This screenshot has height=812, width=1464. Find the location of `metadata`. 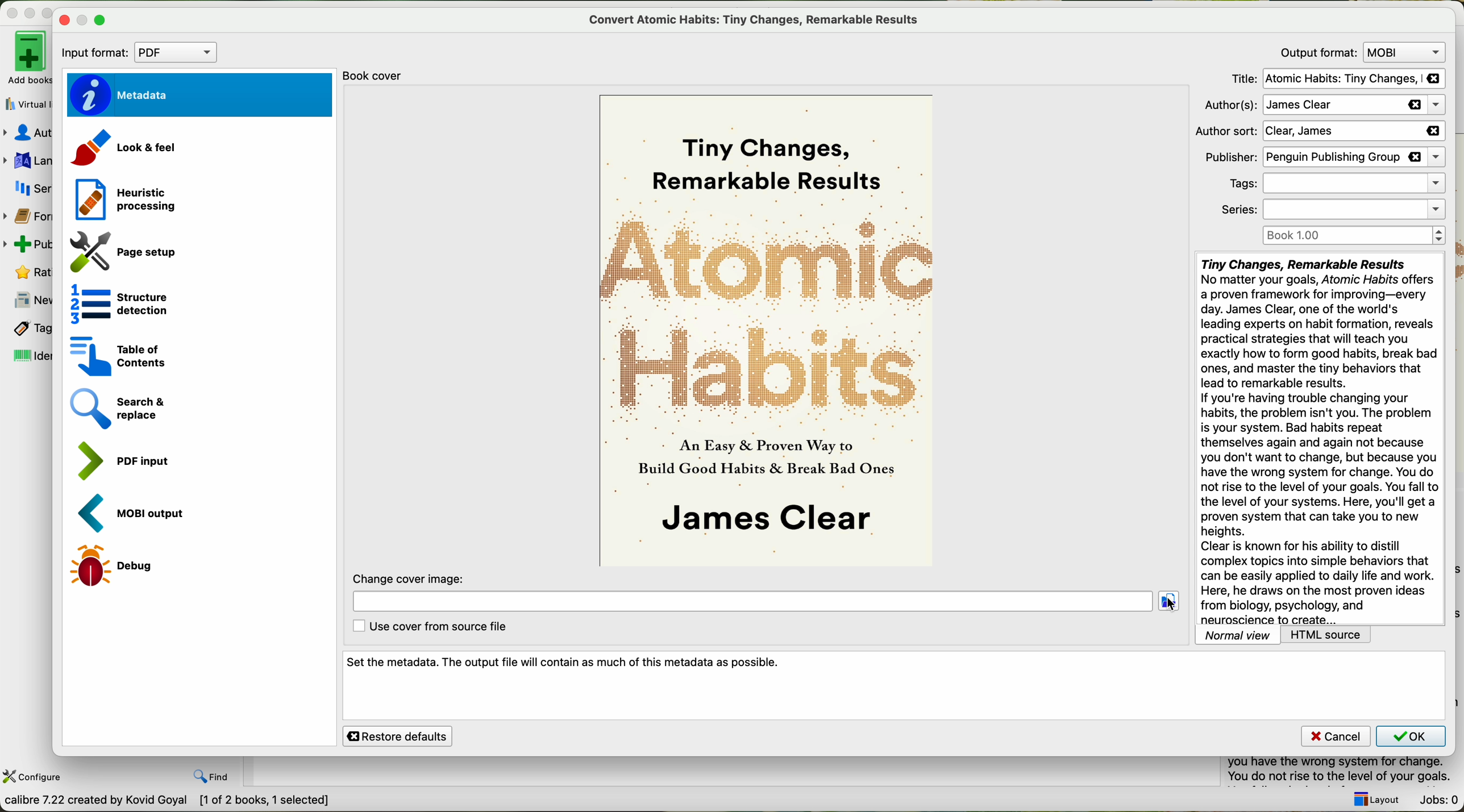

metadata is located at coordinates (198, 94).